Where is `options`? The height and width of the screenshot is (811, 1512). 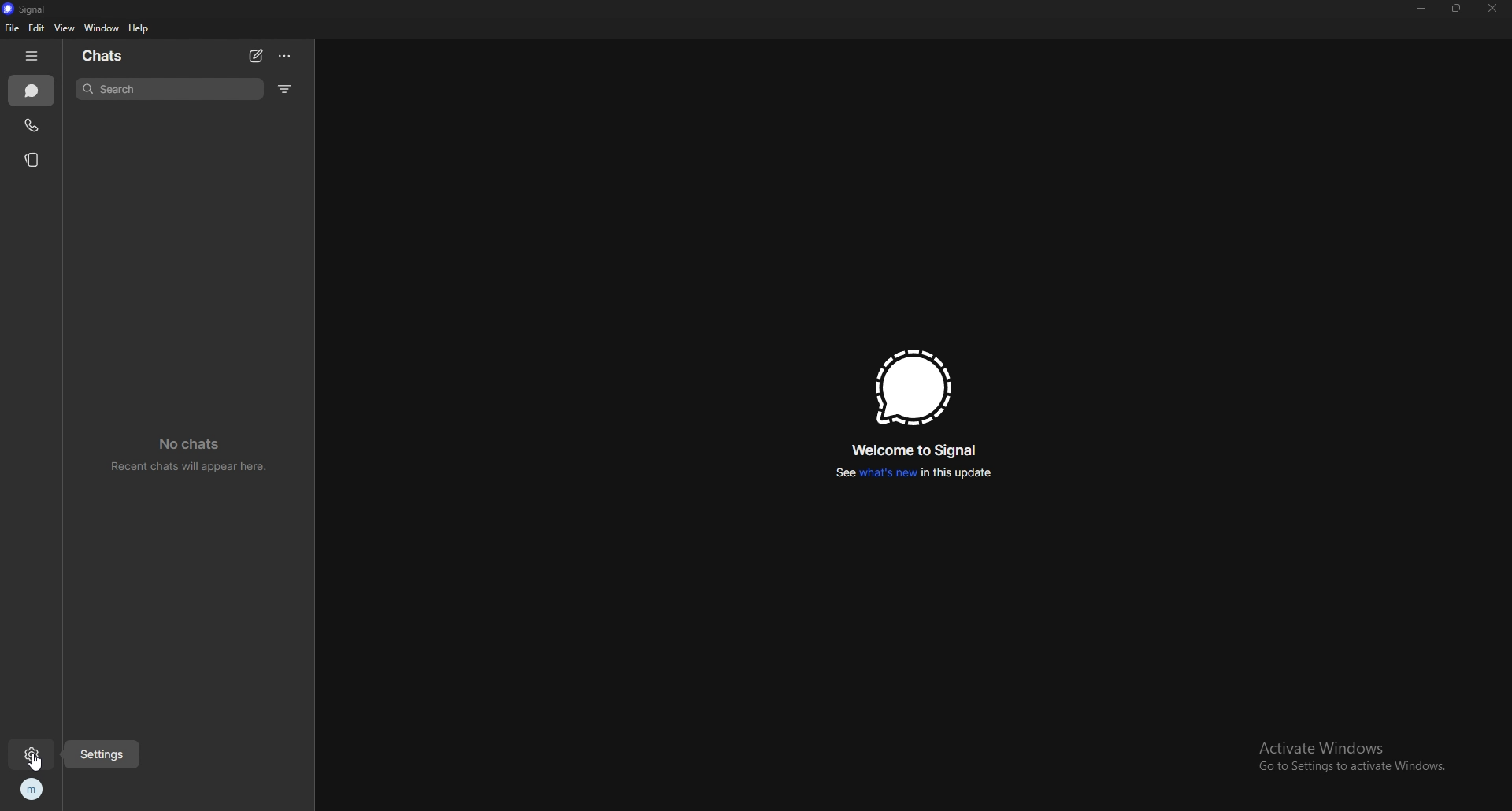 options is located at coordinates (287, 56).